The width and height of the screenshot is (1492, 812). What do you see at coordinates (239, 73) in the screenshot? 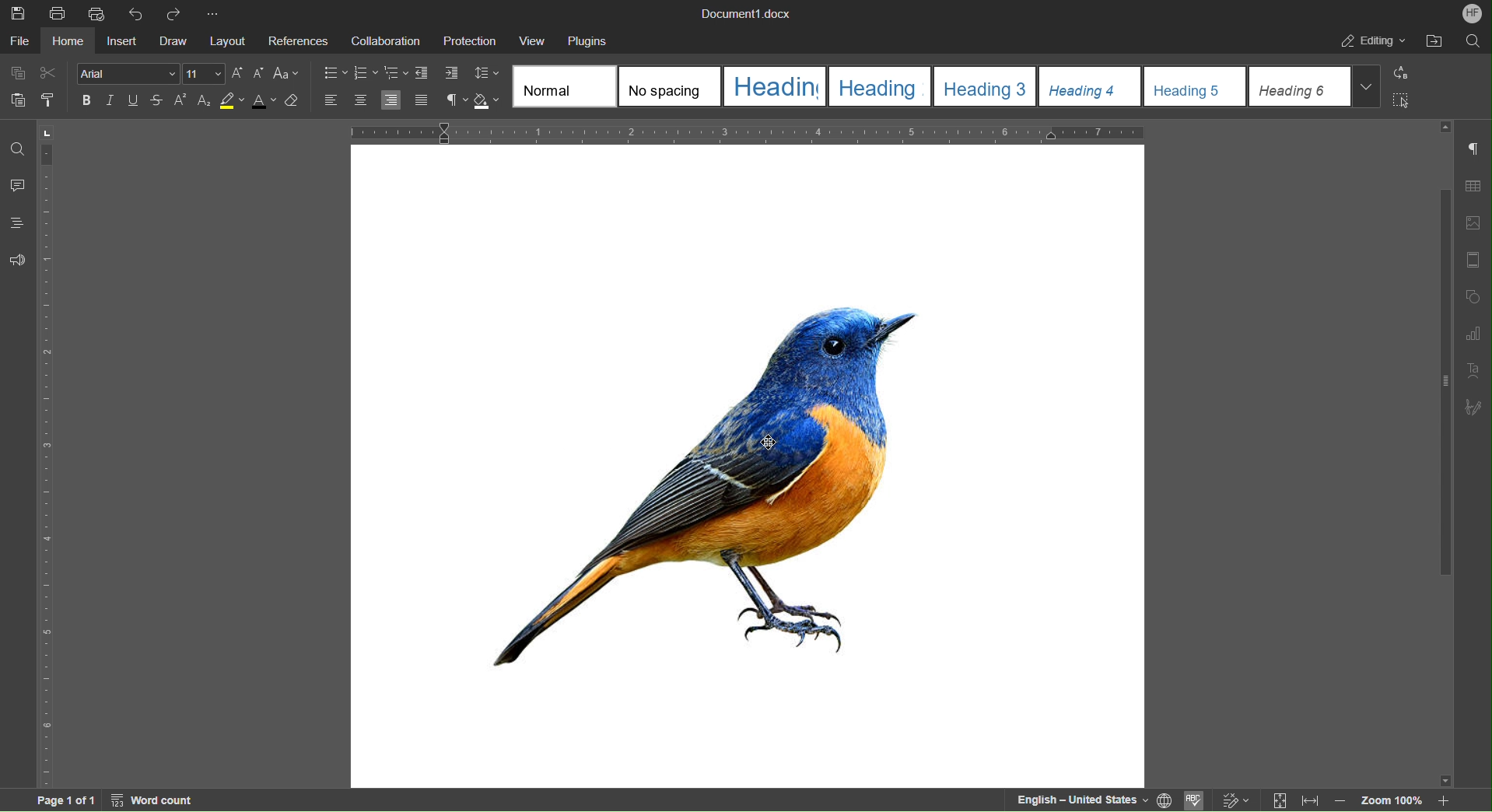
I see `Increase Font Size` at bounding box center [239, 73].